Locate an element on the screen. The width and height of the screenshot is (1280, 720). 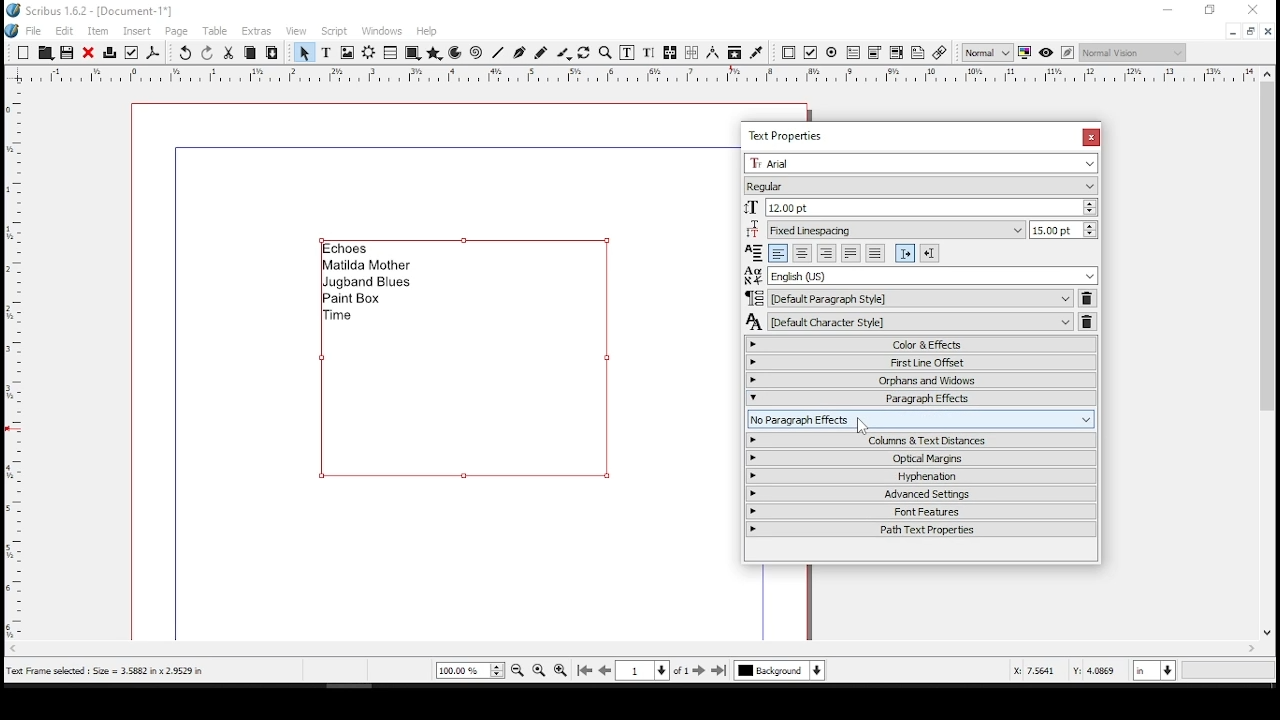
path text properties is located at coordinates (920, 534).